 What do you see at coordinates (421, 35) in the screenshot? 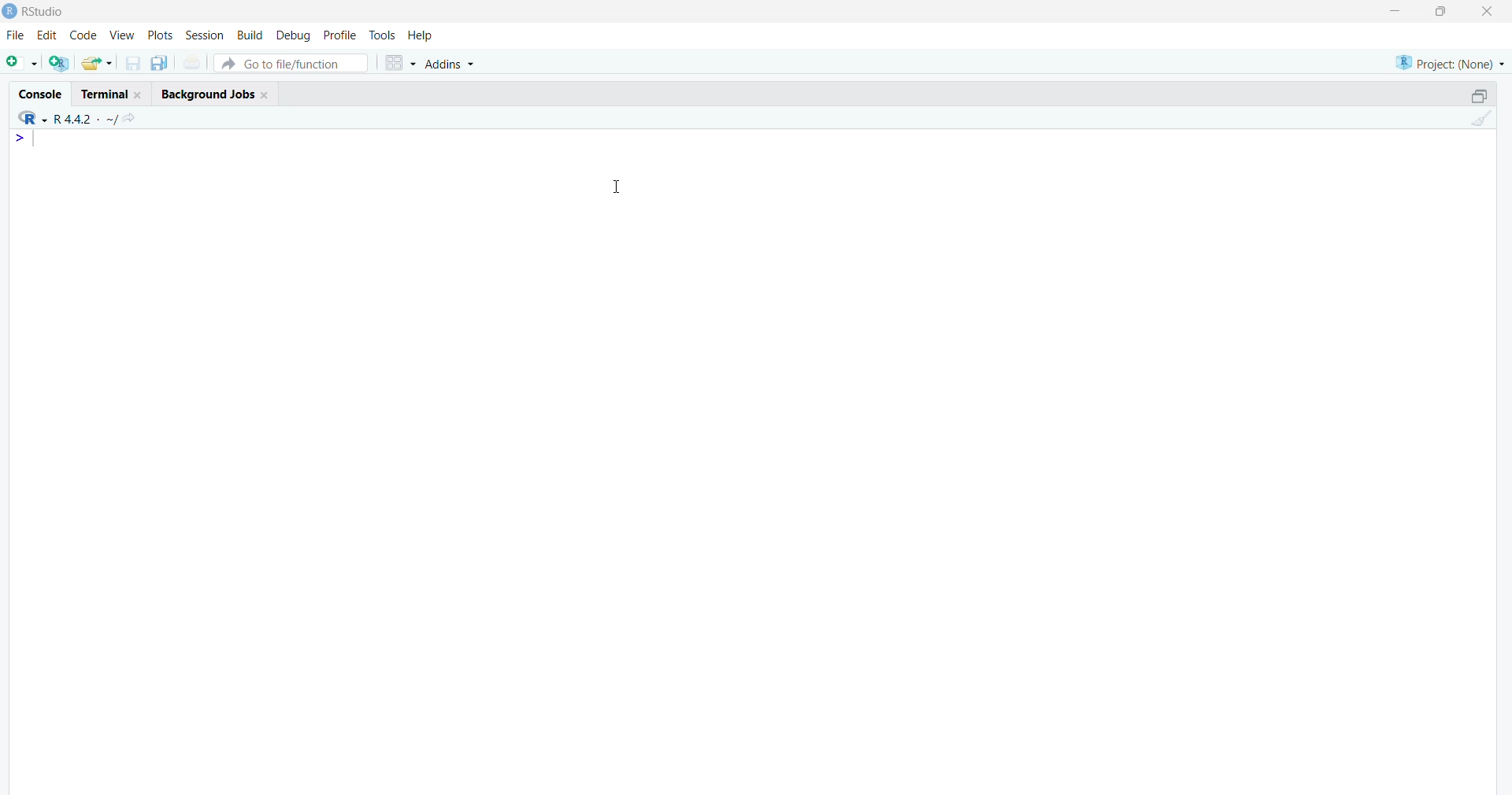
I see `help` at bounding box center [421, 35].